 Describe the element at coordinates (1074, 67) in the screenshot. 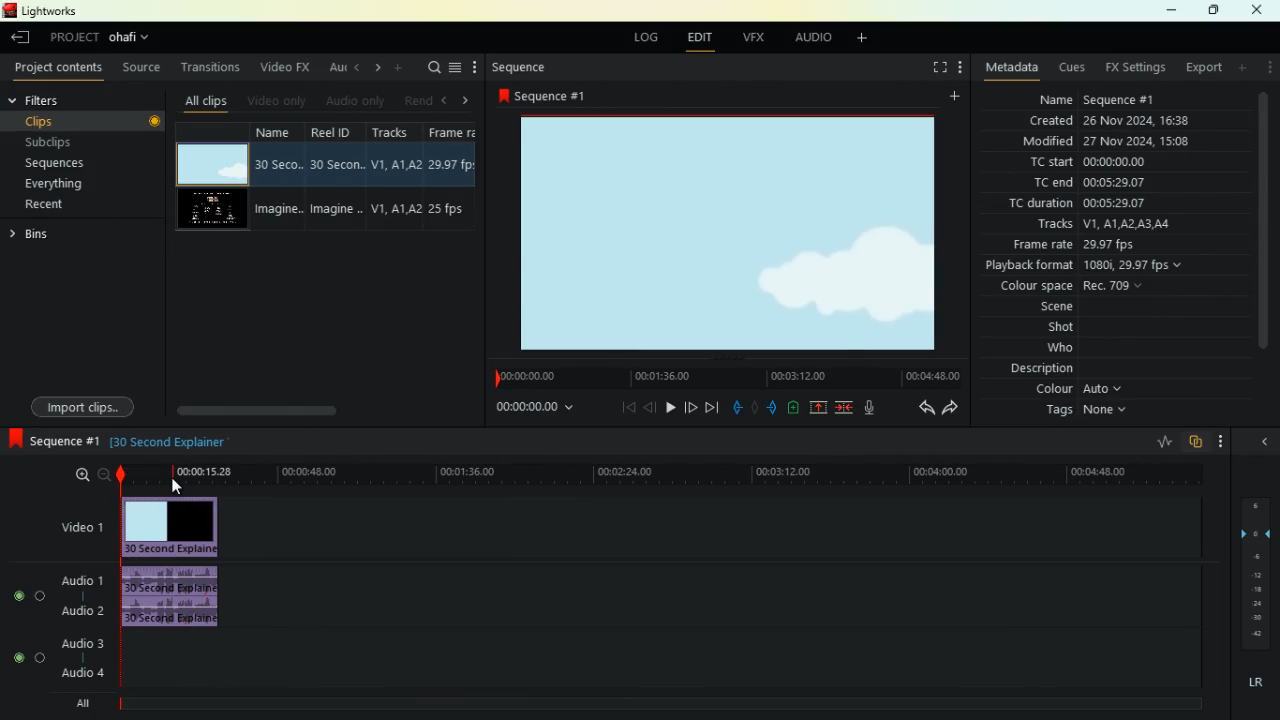

I see `cues` at that location.